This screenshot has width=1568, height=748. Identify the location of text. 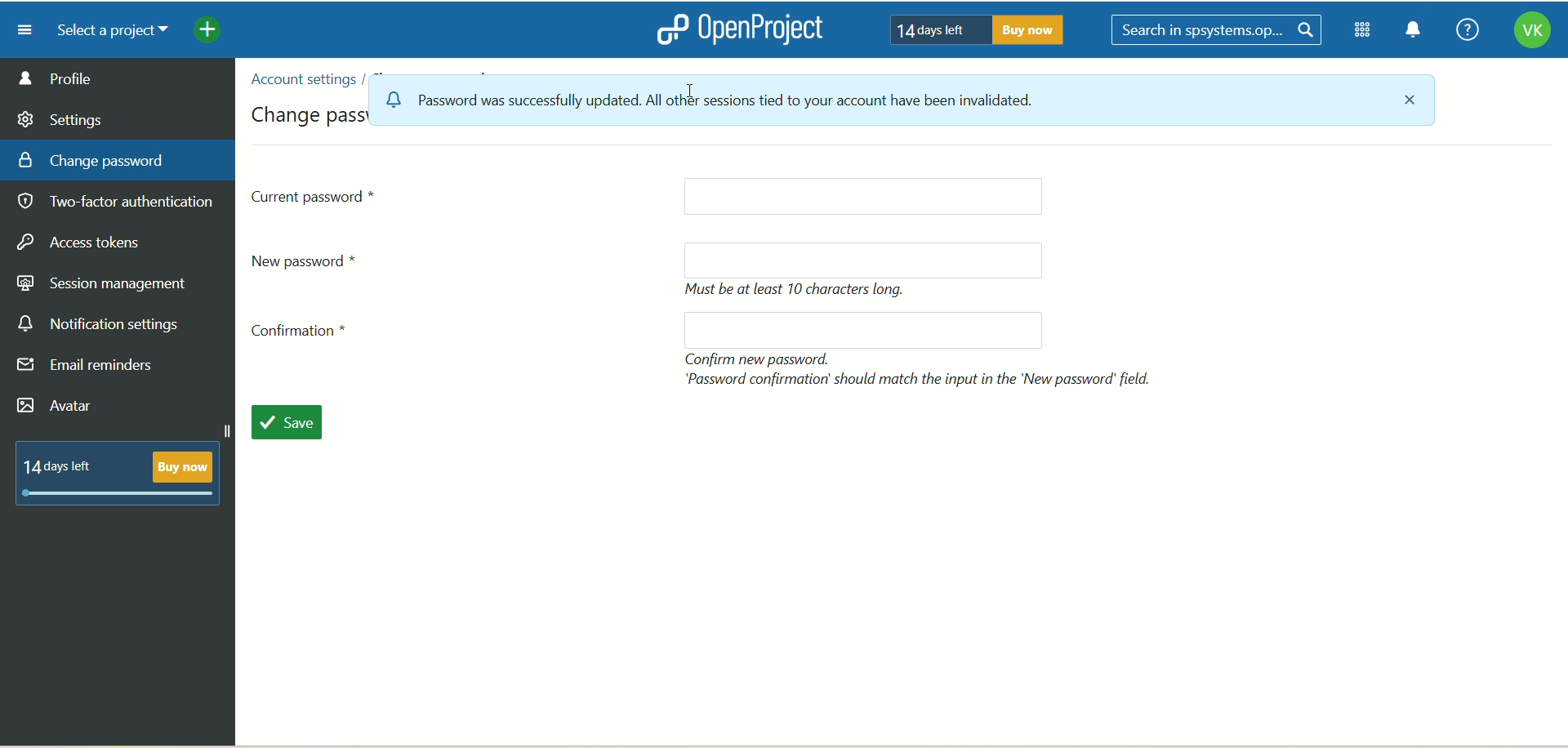
(922, 369).